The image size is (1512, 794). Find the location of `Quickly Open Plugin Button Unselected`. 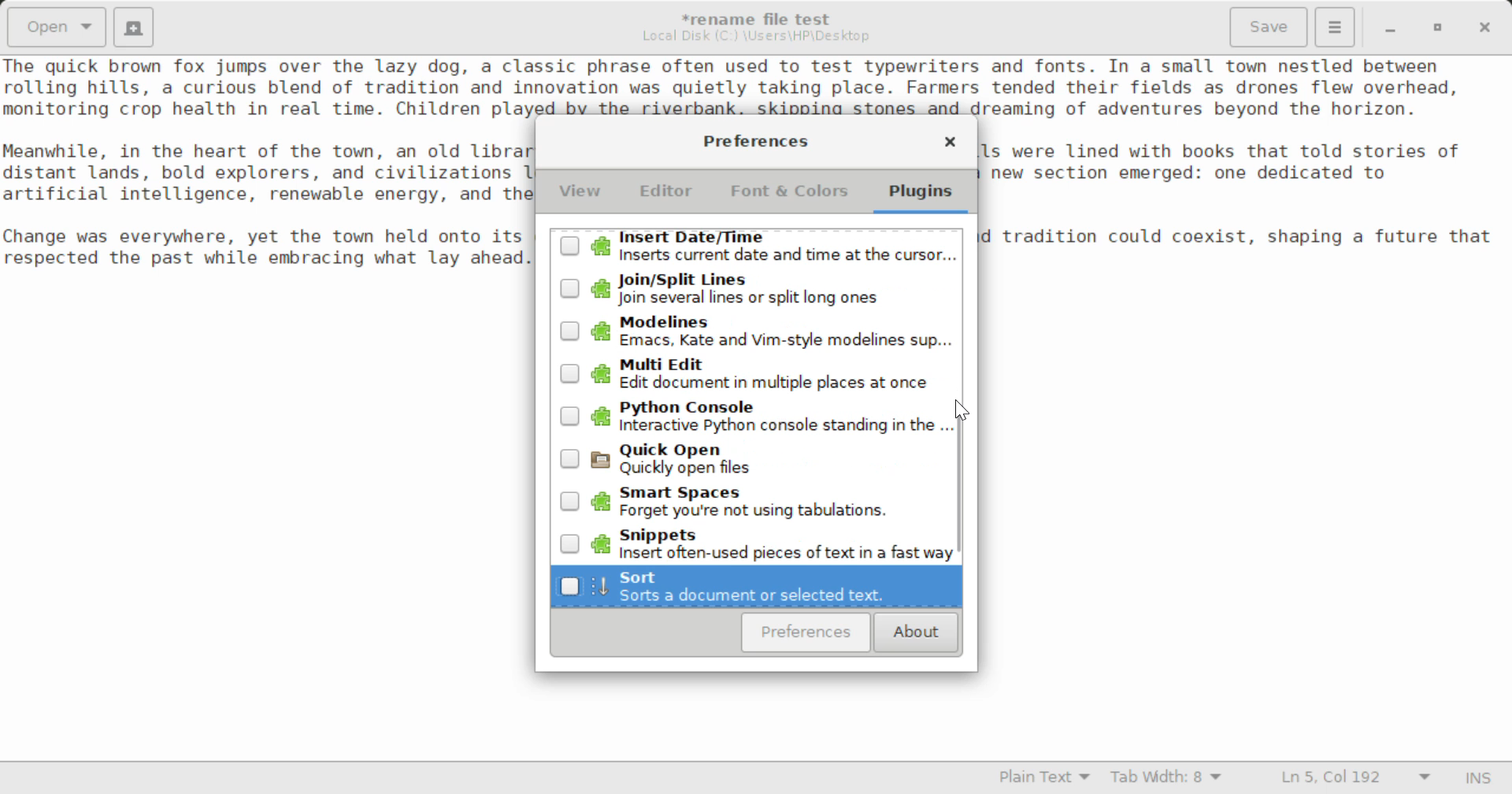

Quickly Open Plugin Button Unselected is located at coordinates (762, 465).